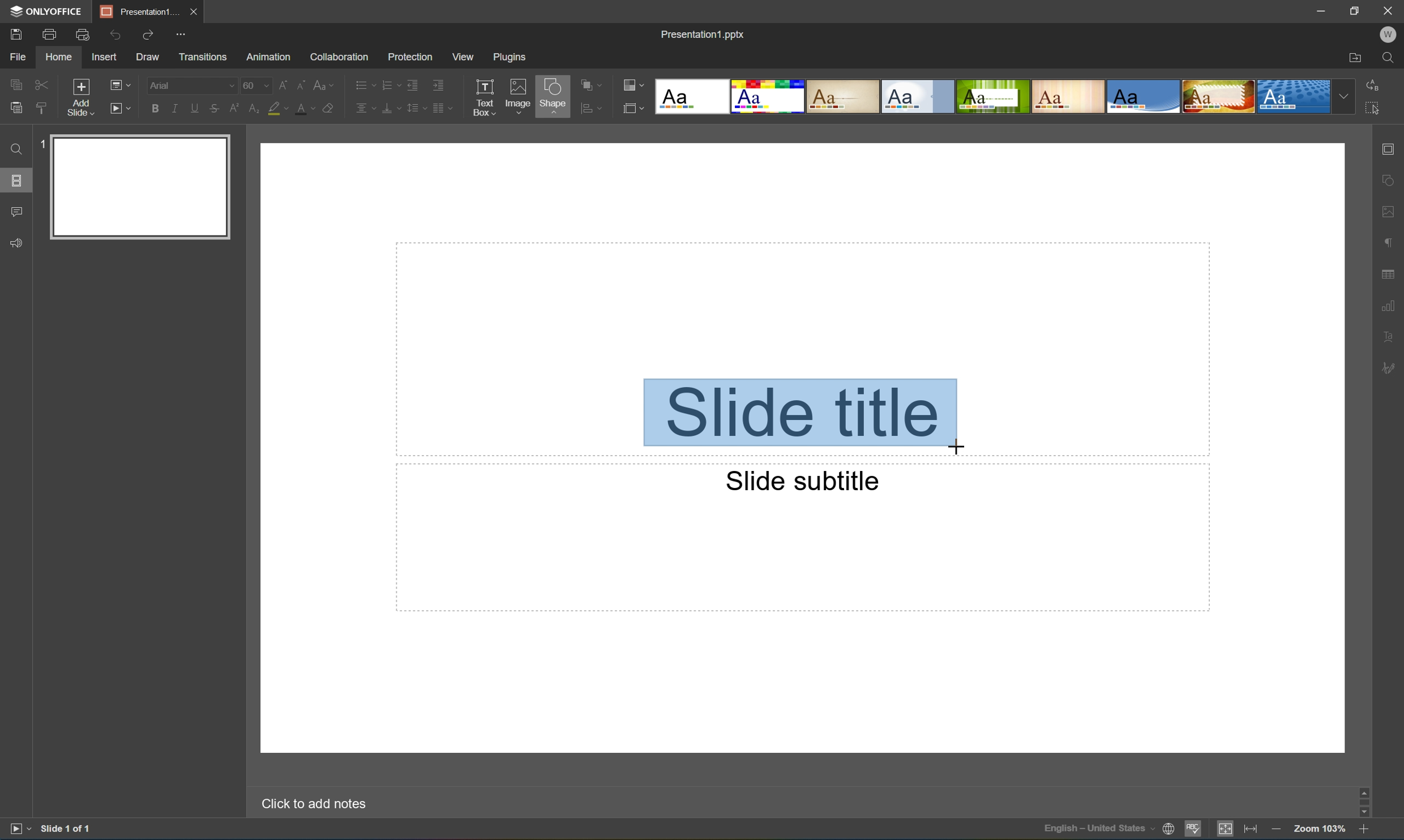 The image size is (1404, 840). What do you see at coordinates (702, 37) in the screenshot?
I see `Presentation1.pptx` at bounding box center [702, 37].